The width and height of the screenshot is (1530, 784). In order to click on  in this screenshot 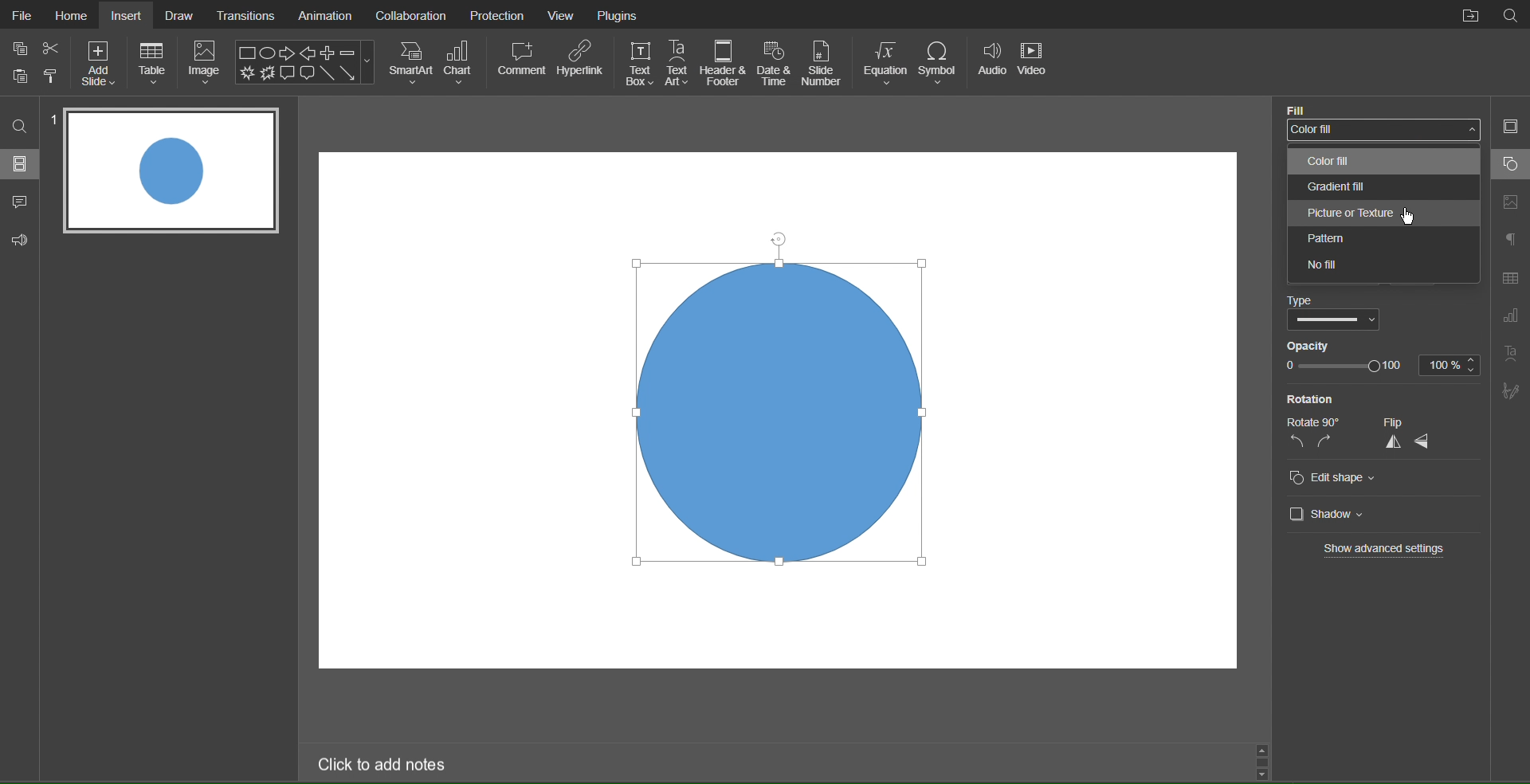, I will do `click(1314, 421)`.